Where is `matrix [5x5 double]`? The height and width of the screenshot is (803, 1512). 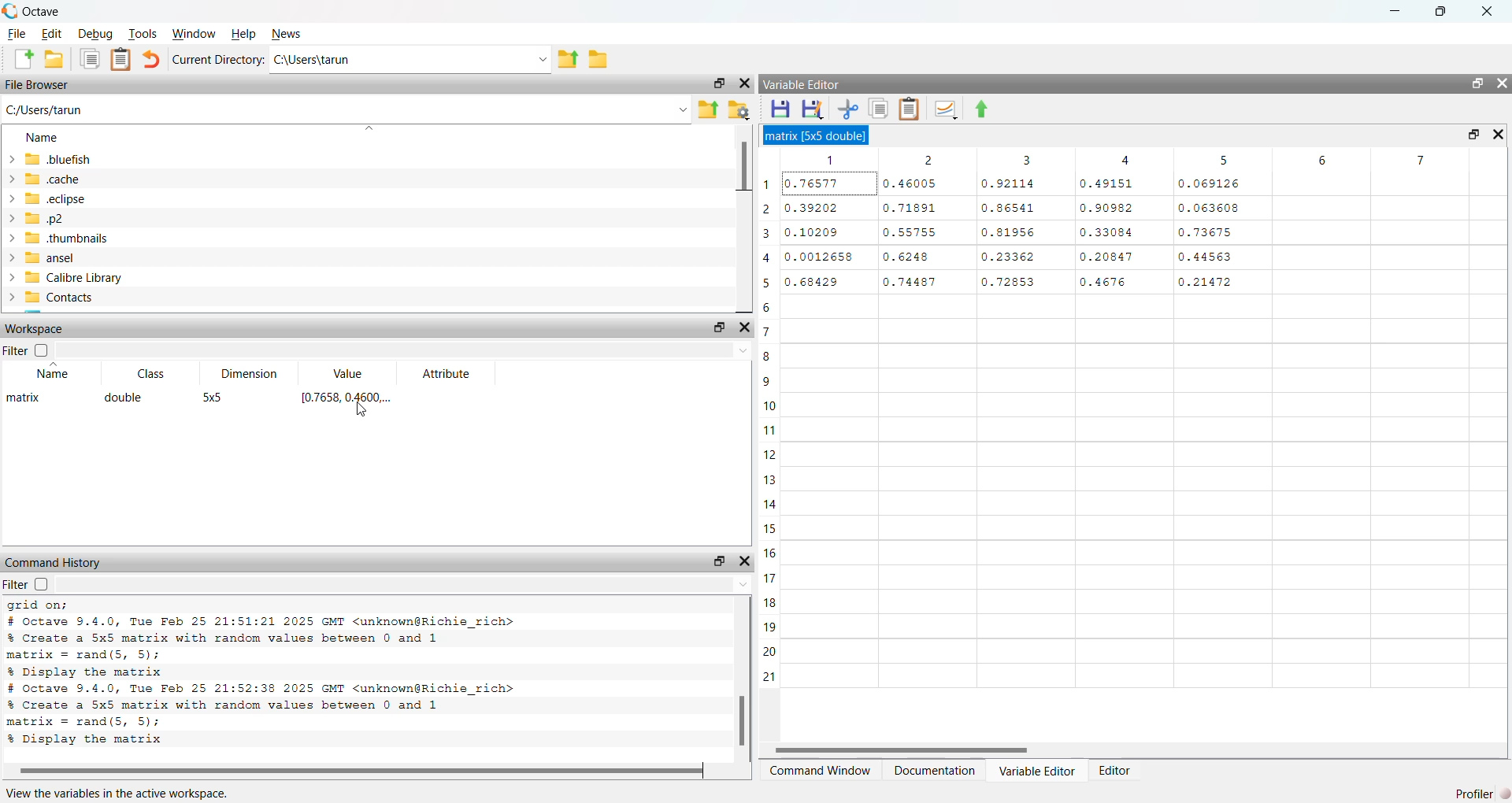
matrix [5x5 double] is located at coordinates (825, 135).